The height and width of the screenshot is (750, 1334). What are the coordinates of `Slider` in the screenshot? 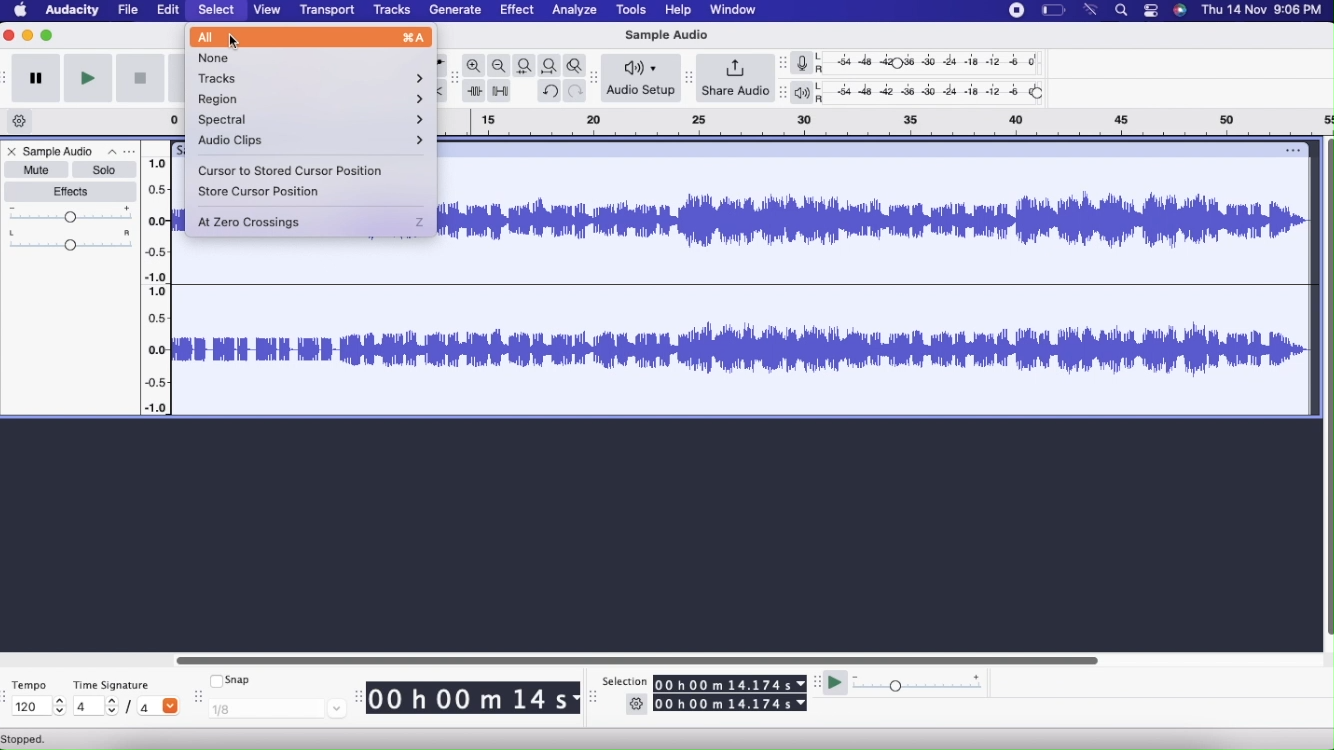 It's located at (157, 282).